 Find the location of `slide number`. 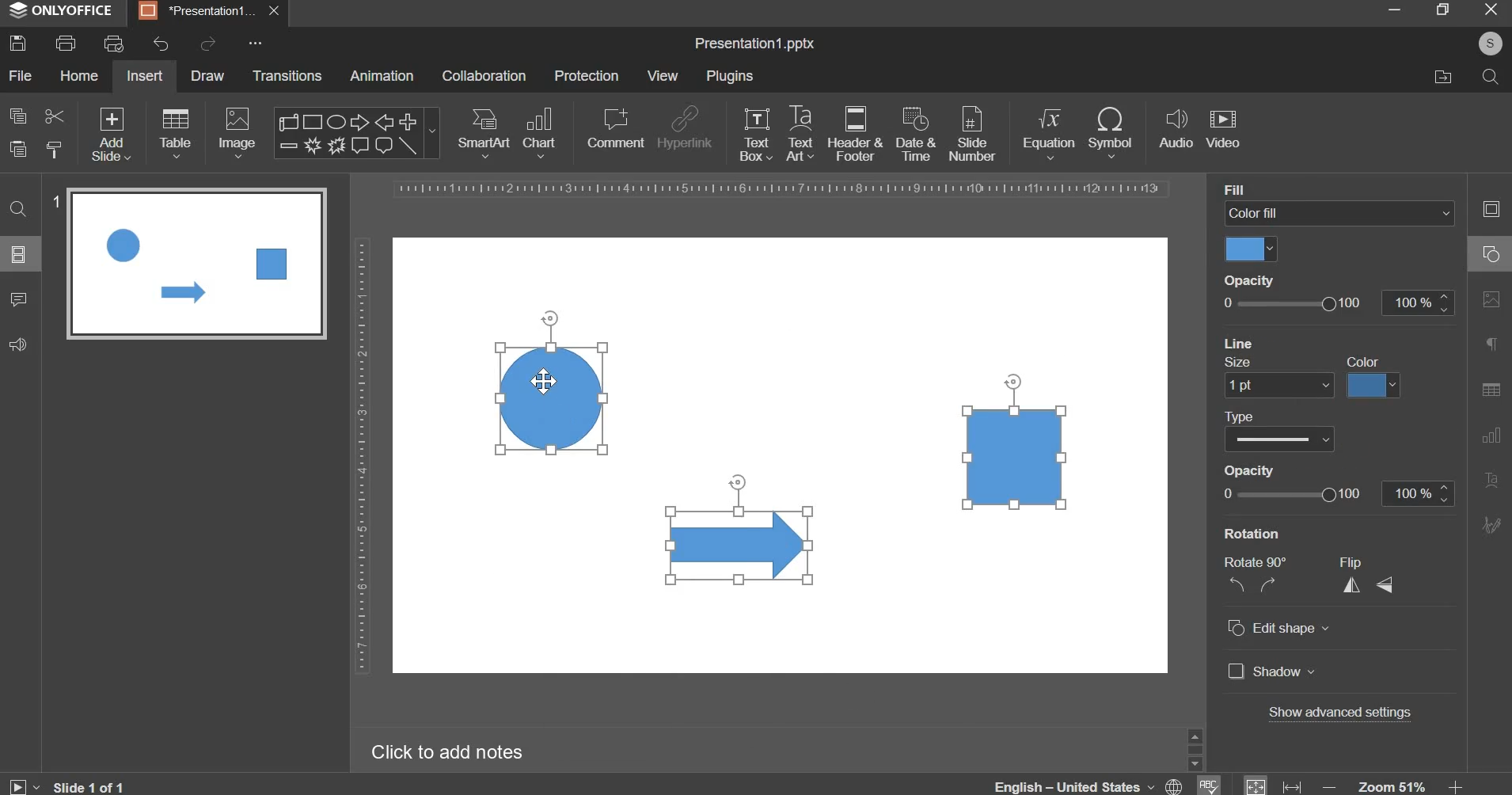

slide number is located at coordinates (57, 198).